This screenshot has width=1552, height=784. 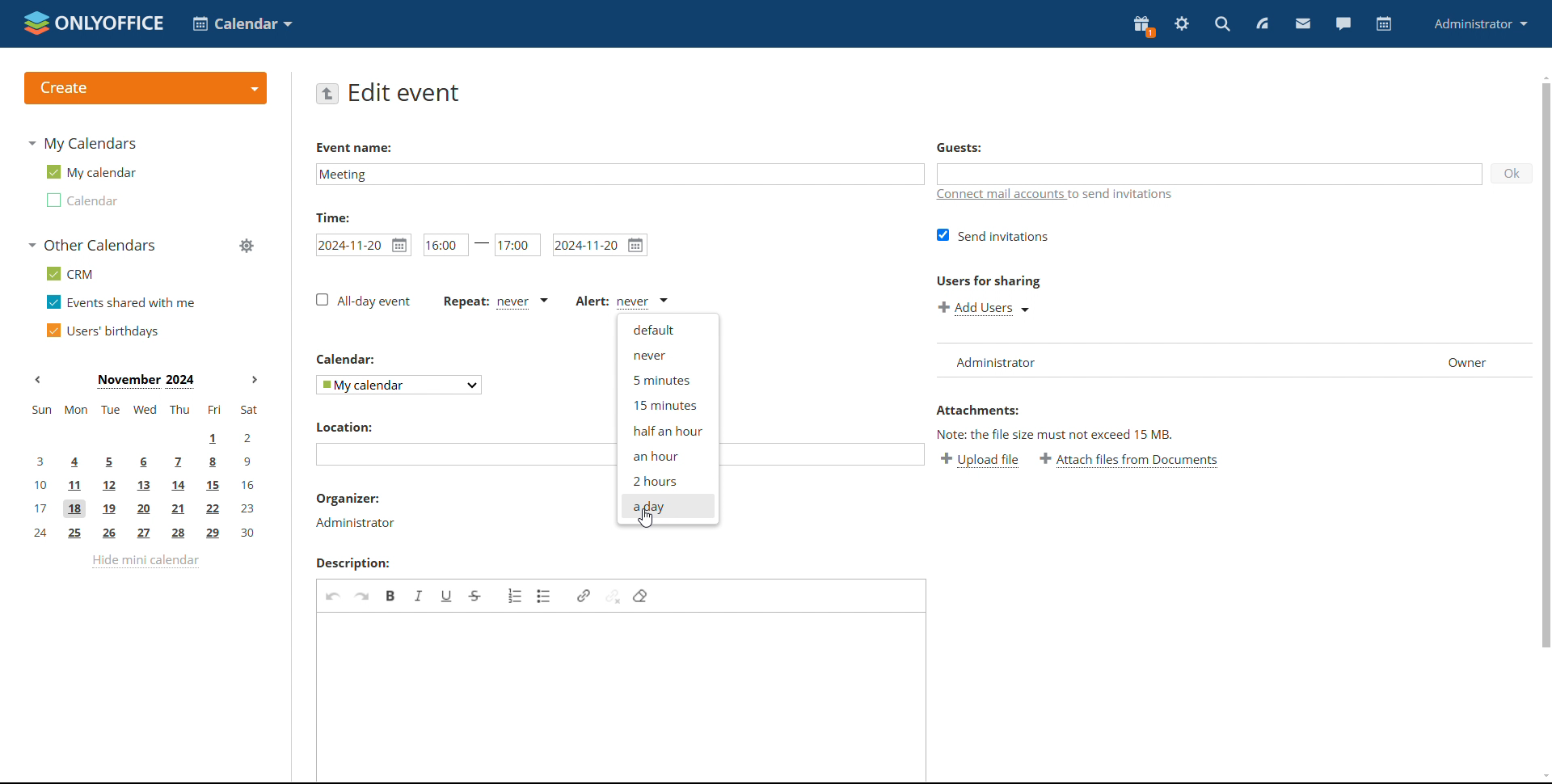 I want to click on mini calendar, so click(x=145, y=472).